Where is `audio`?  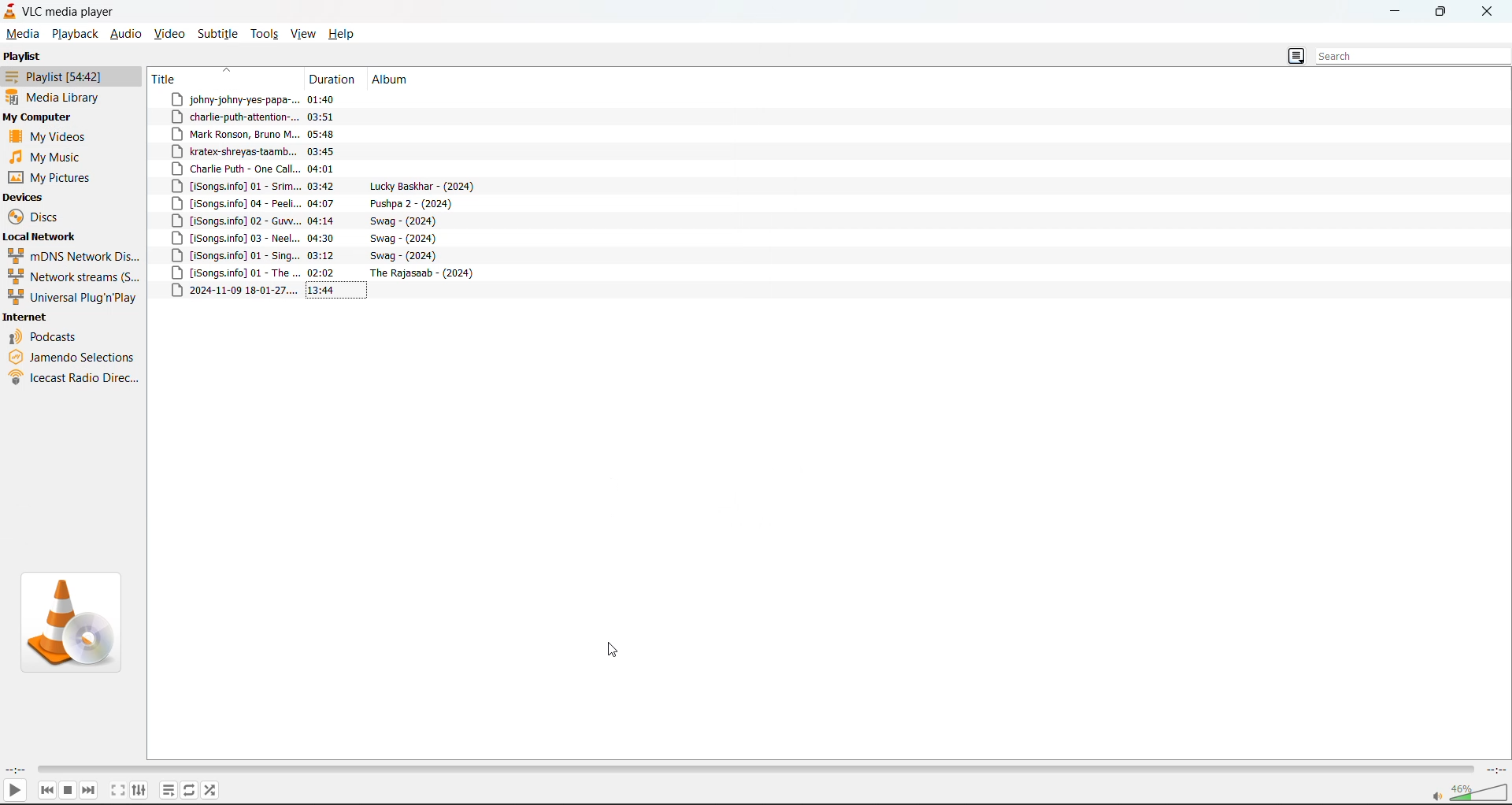
audio is located at coordinates (126, 33).